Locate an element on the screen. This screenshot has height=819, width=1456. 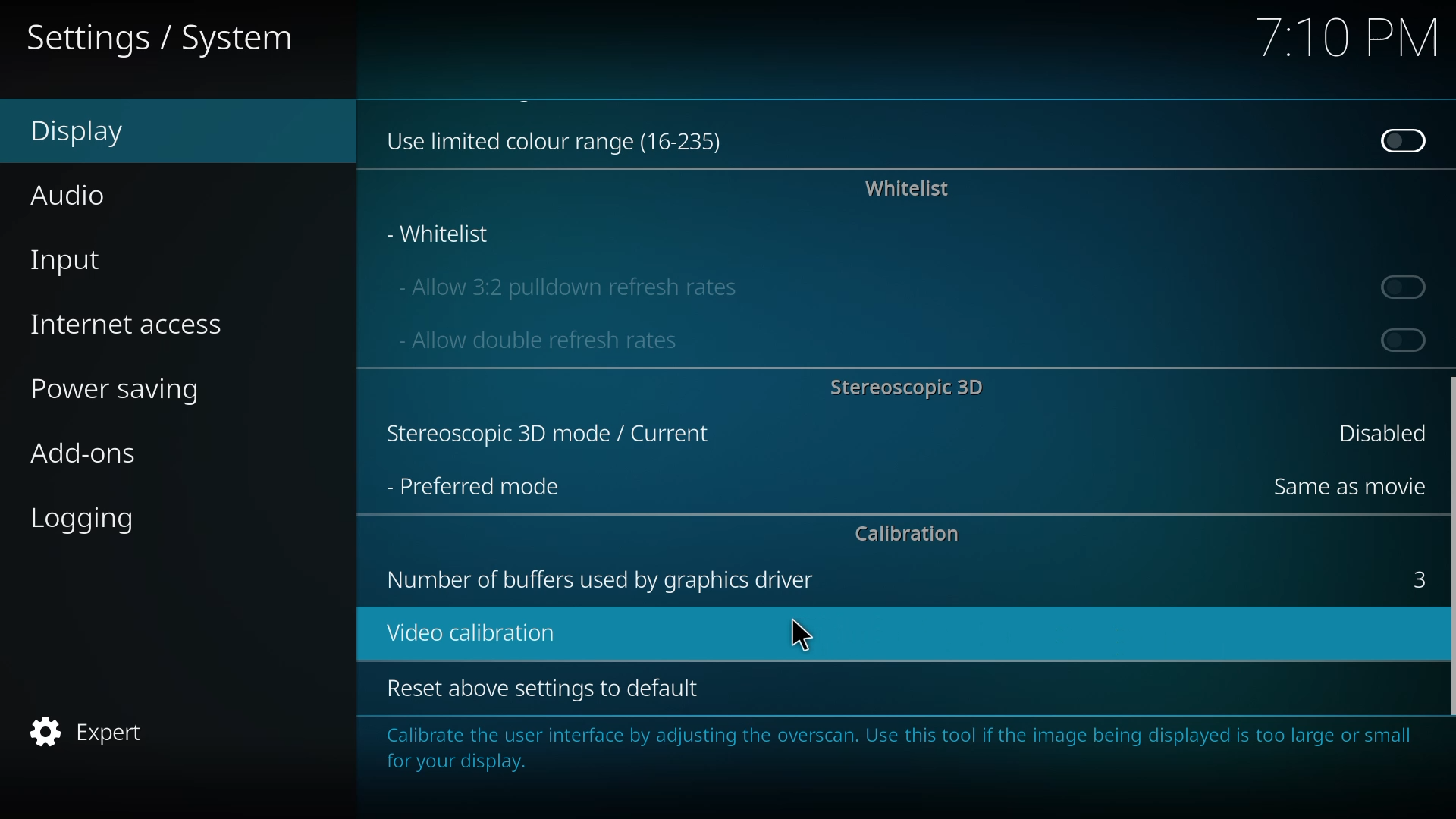
time is located at coordinates (1345, 39).